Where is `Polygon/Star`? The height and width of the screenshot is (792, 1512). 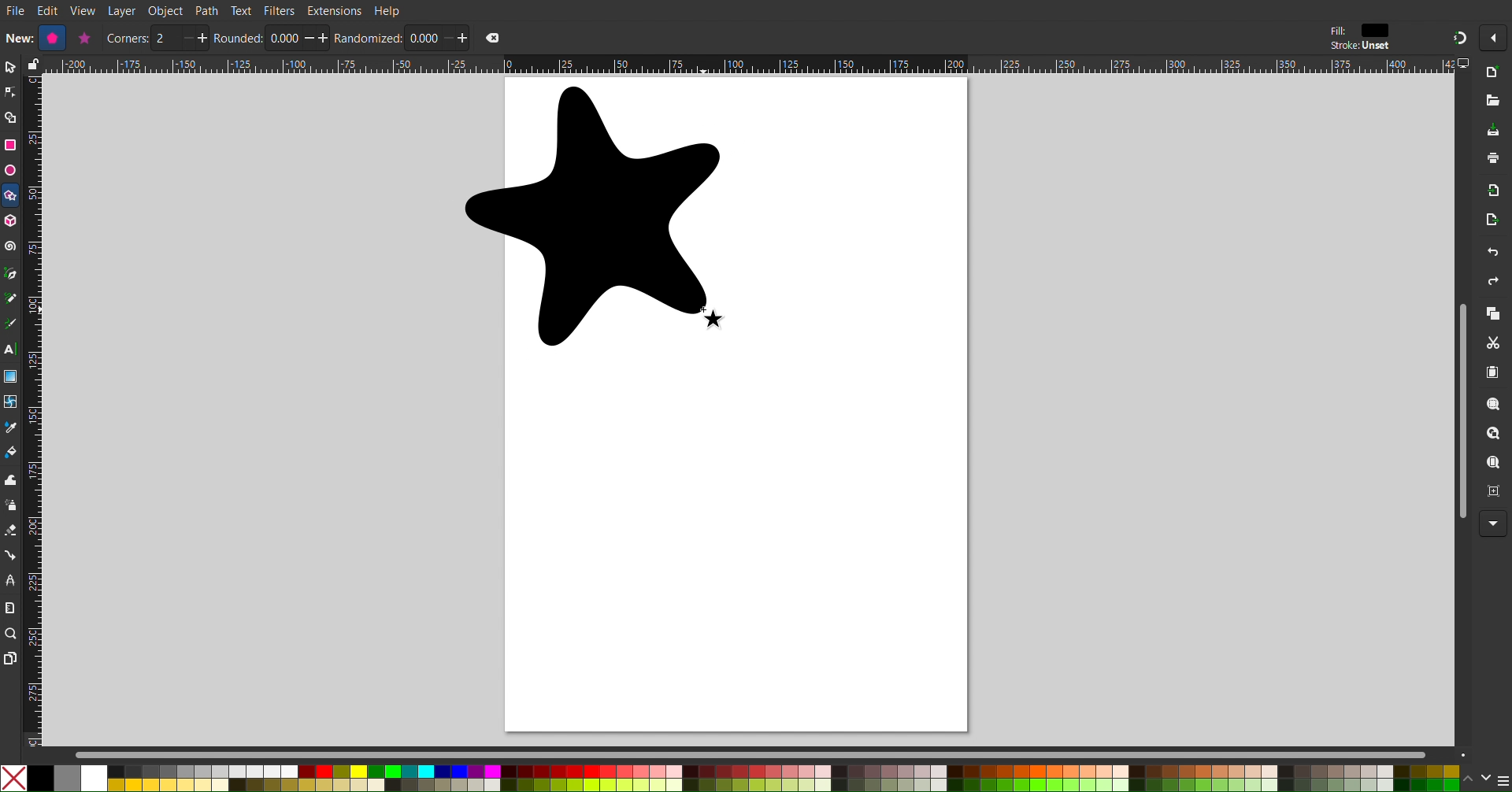
Polygon/Star is located at coordinates (11, 198).